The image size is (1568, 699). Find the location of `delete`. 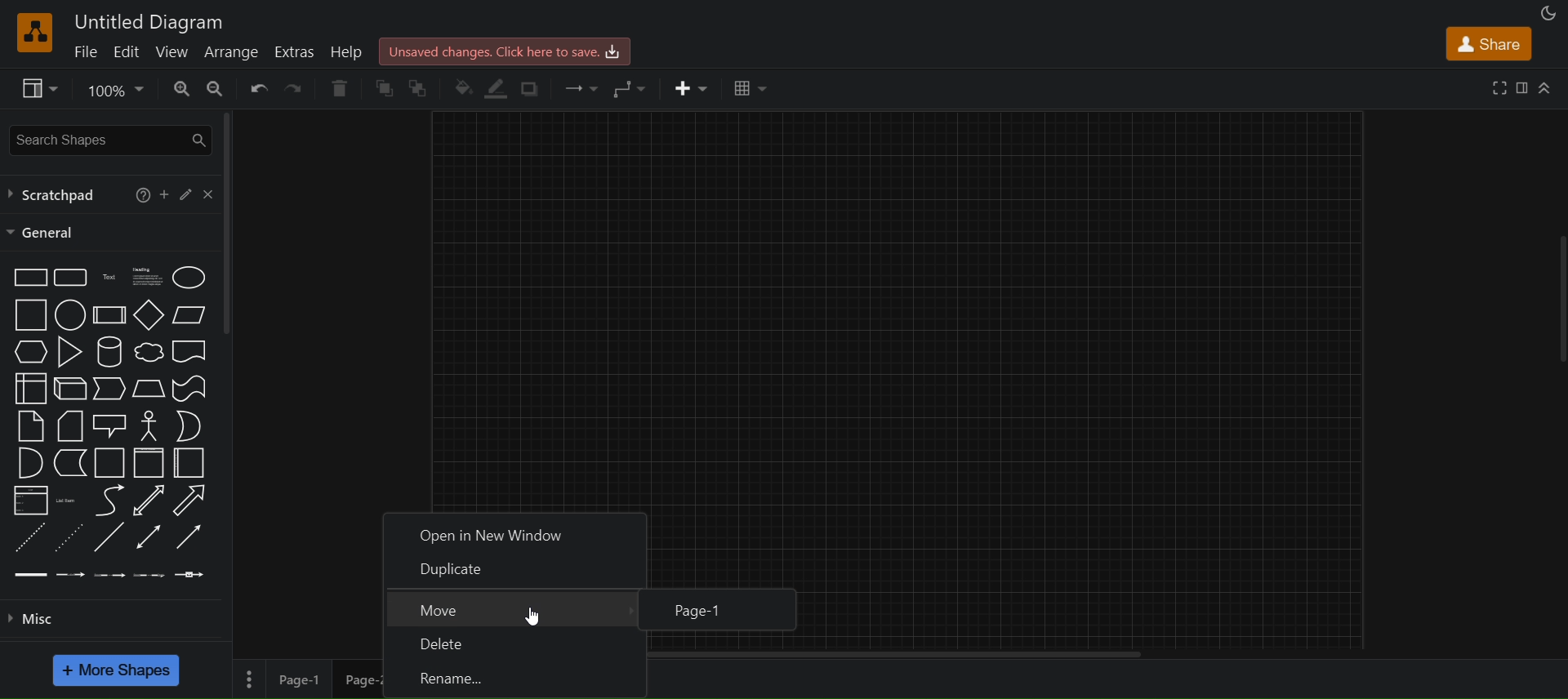

delete is located at coordinates (338, 88).